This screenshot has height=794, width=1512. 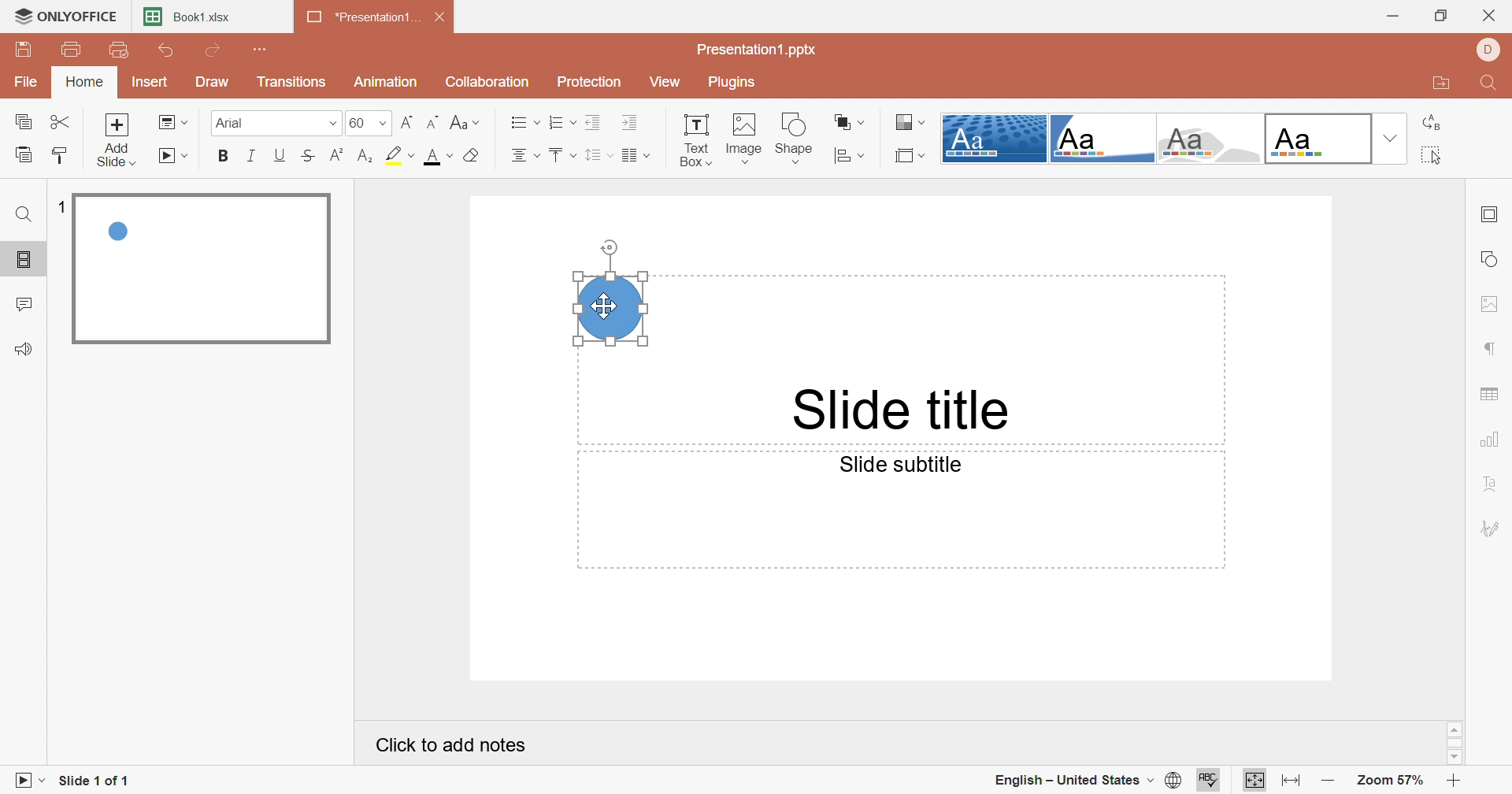 I want to click on Replace, so click(x=1432, y=123).